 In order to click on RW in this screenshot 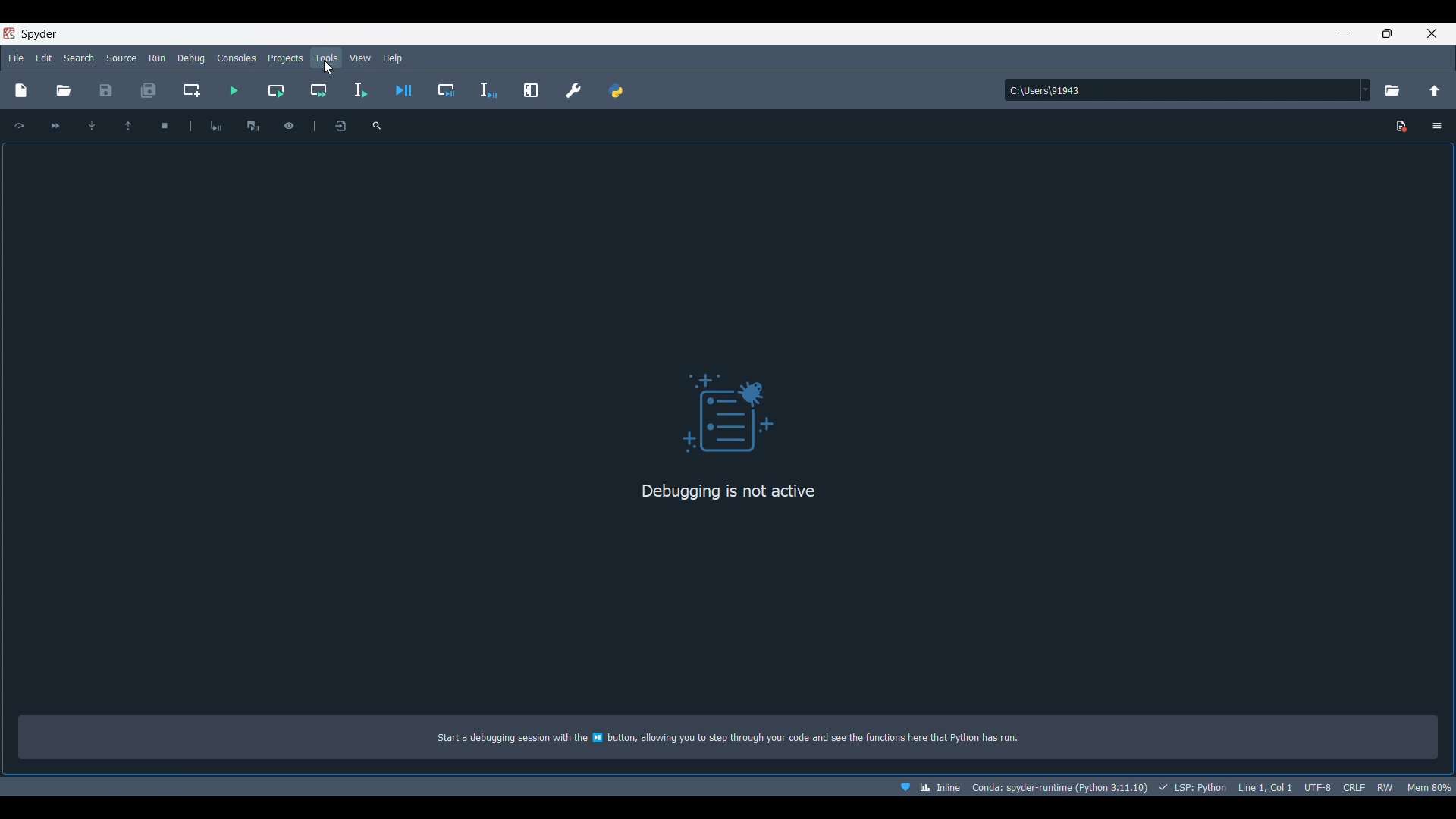, I will do `click(1385, 787)`.